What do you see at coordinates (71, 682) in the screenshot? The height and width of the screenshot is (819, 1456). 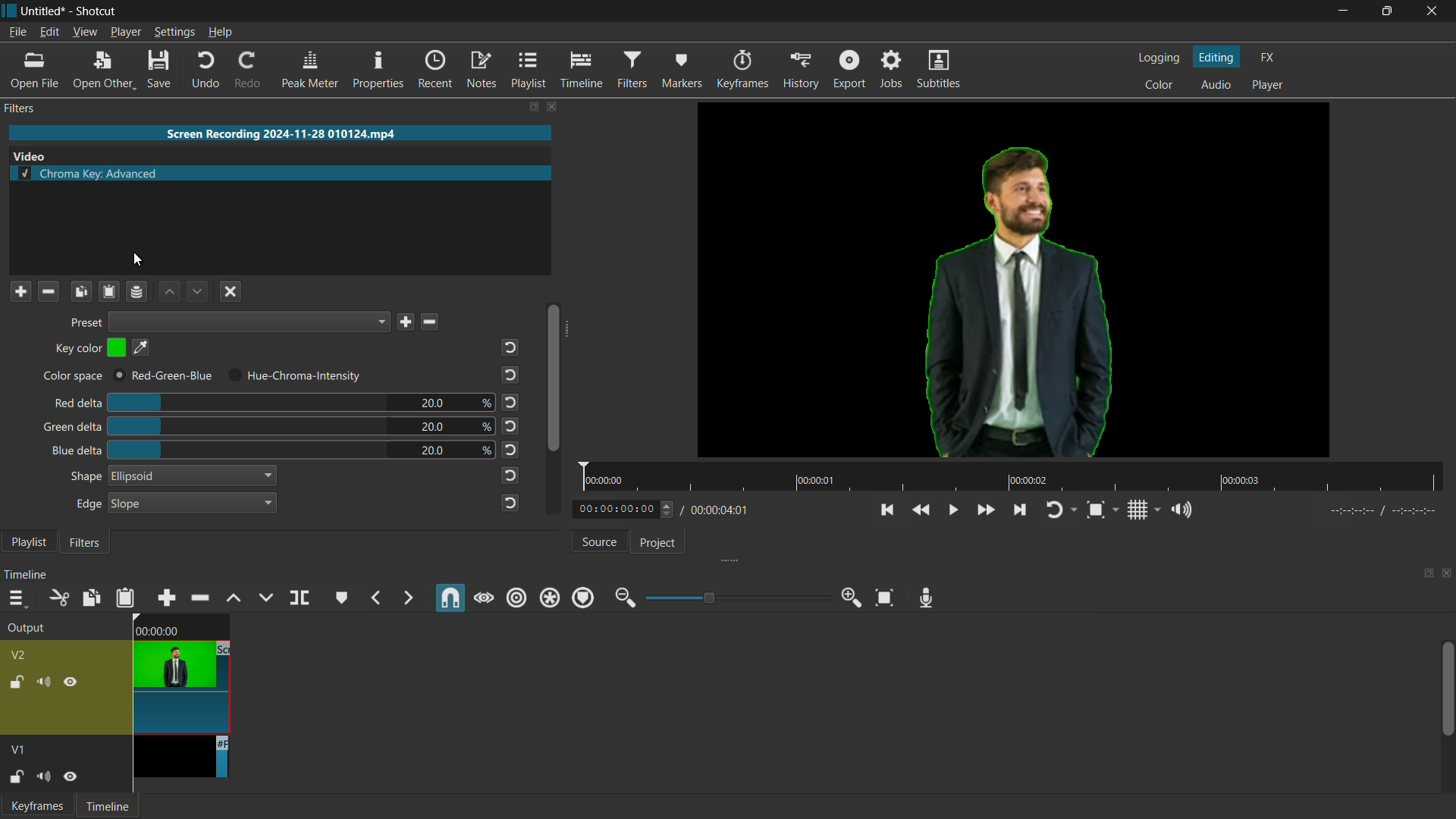 I see `hide` at bounding box center [71, 682].